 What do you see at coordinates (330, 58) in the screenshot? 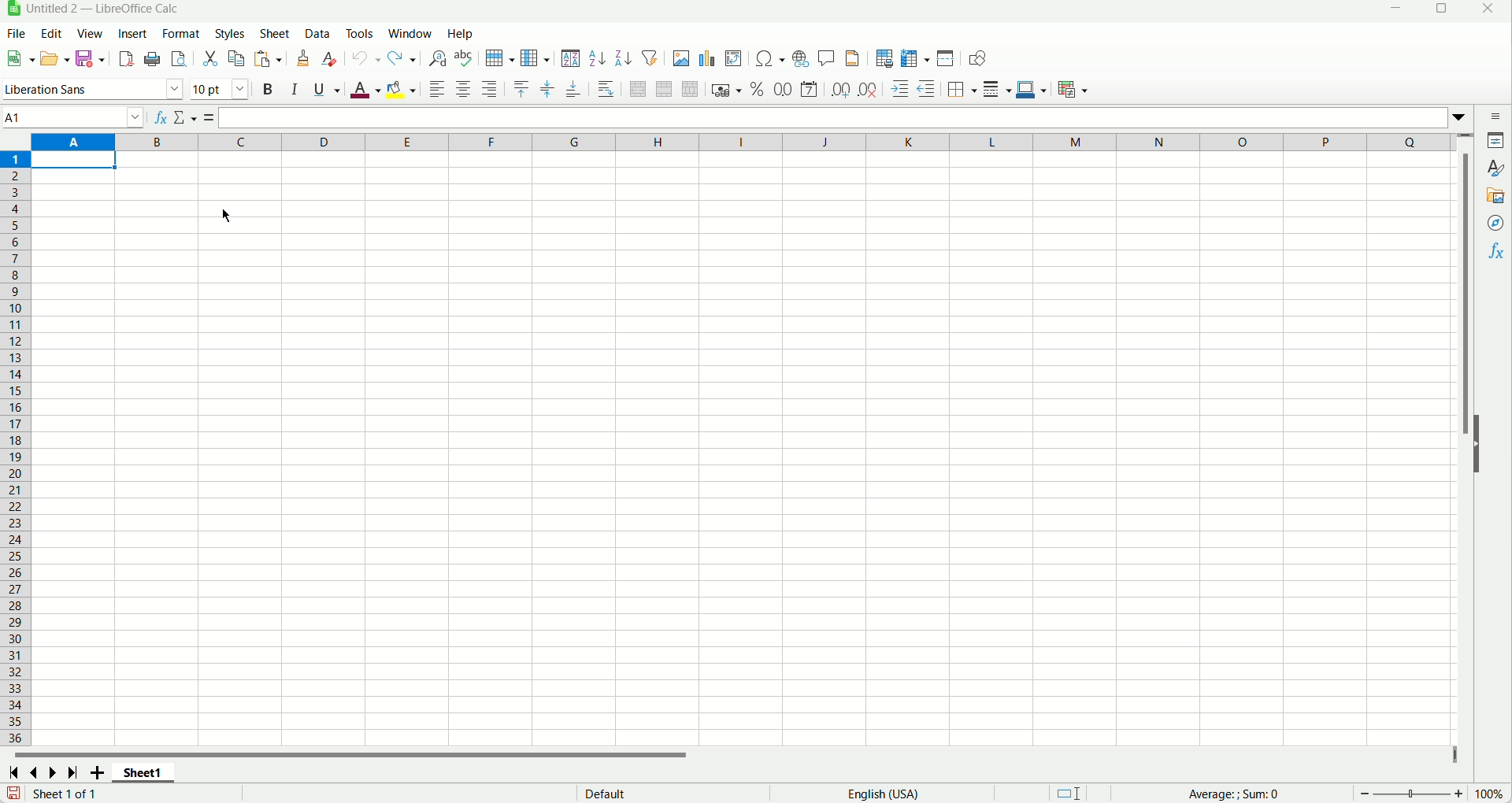
I see `Clear formatting` at bounding box center [330, 58].